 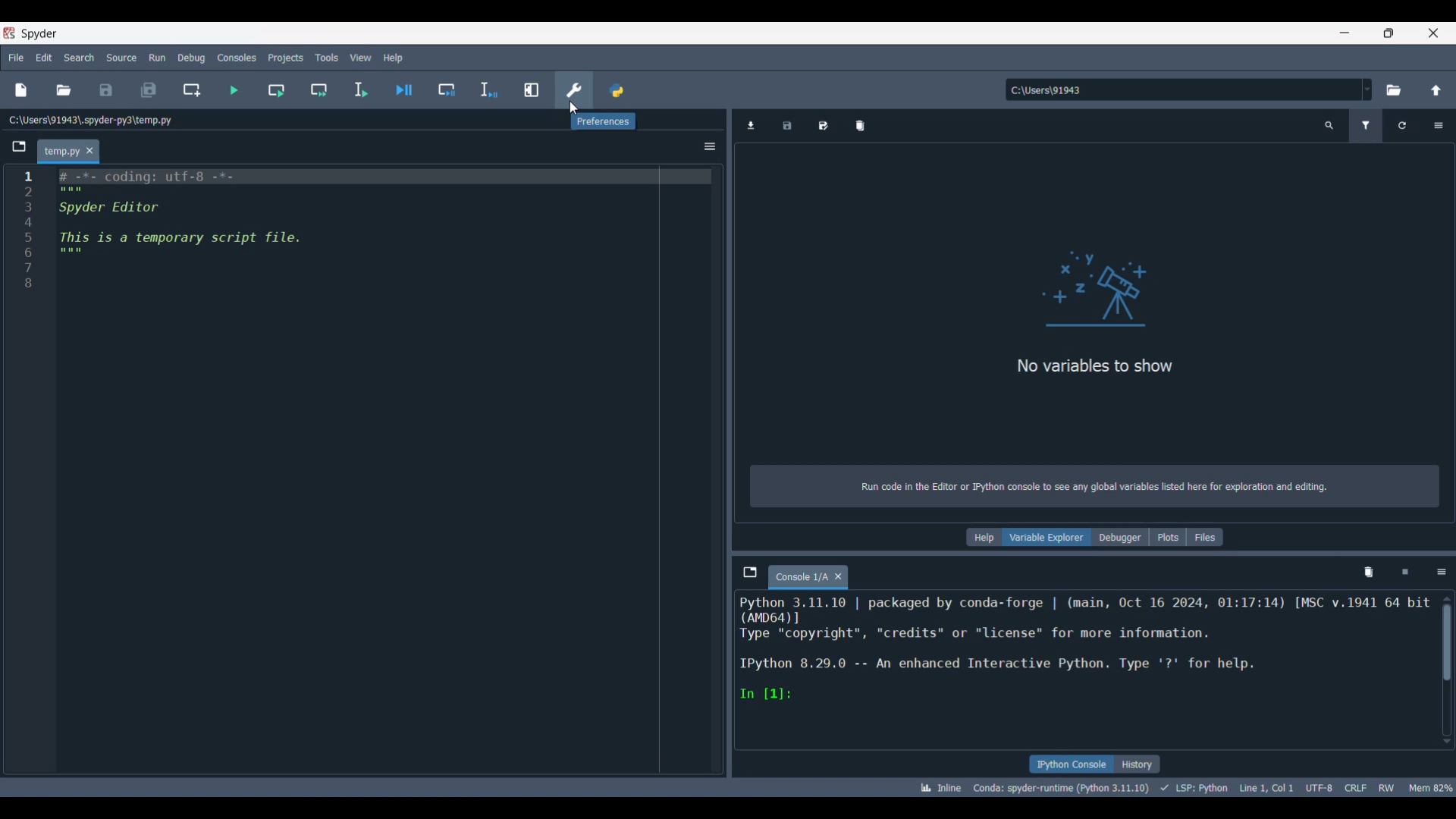 I want to click on Change to parent directory, so click(x=1437, y=90).